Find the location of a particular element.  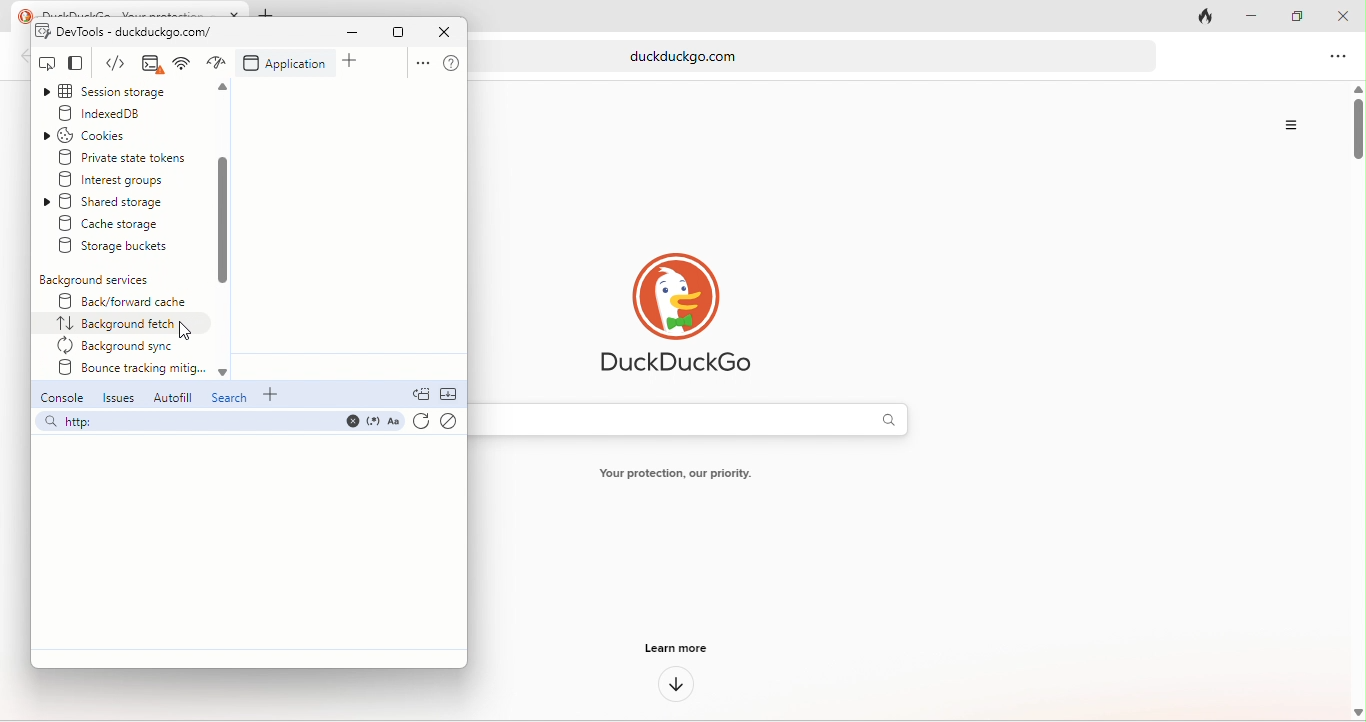

add is located at coordinates (275, 395).